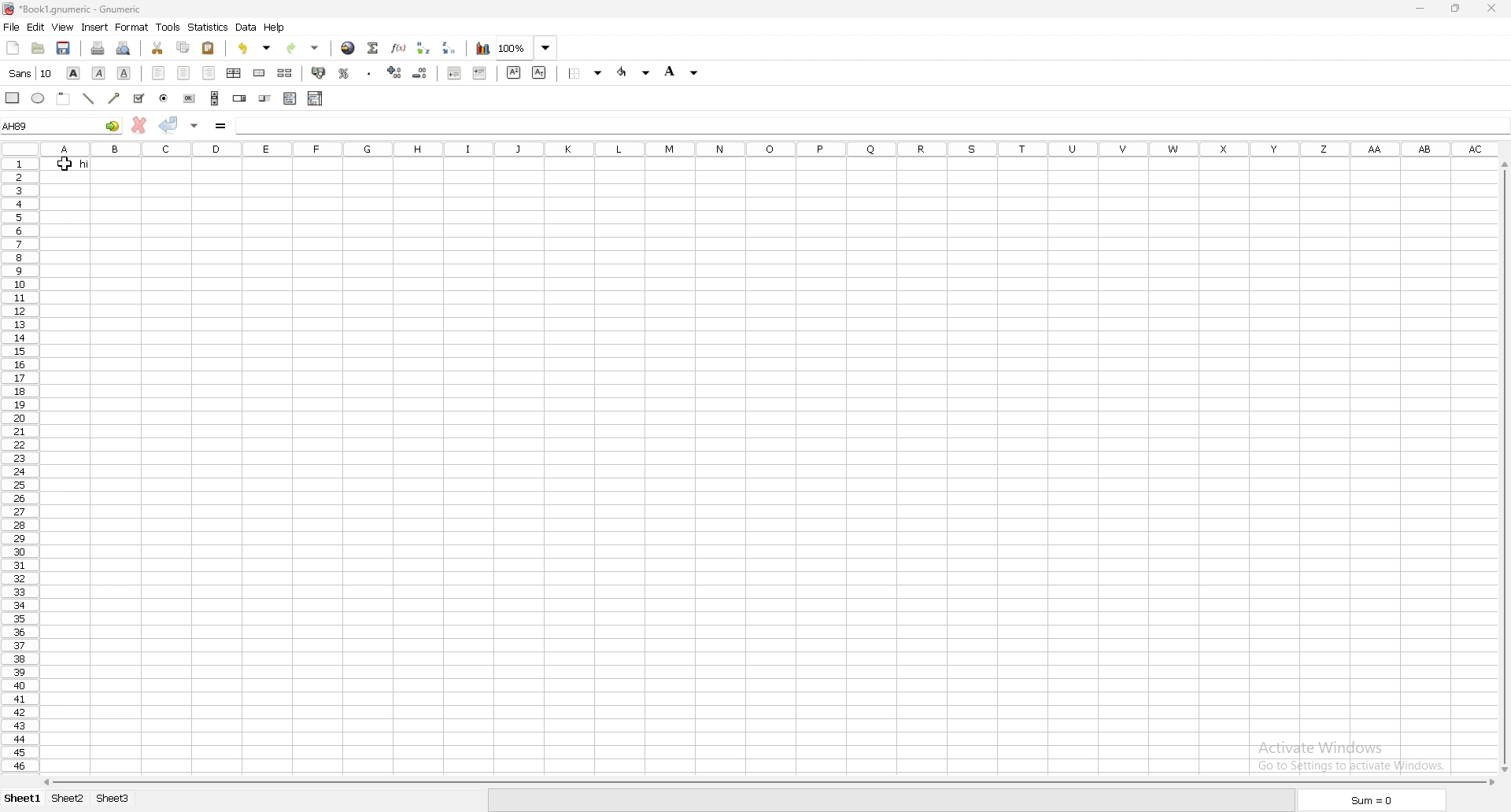 Image resolution: width=1511 pixels, height=812 pixels. I want to click on formula, so click(223, 127).